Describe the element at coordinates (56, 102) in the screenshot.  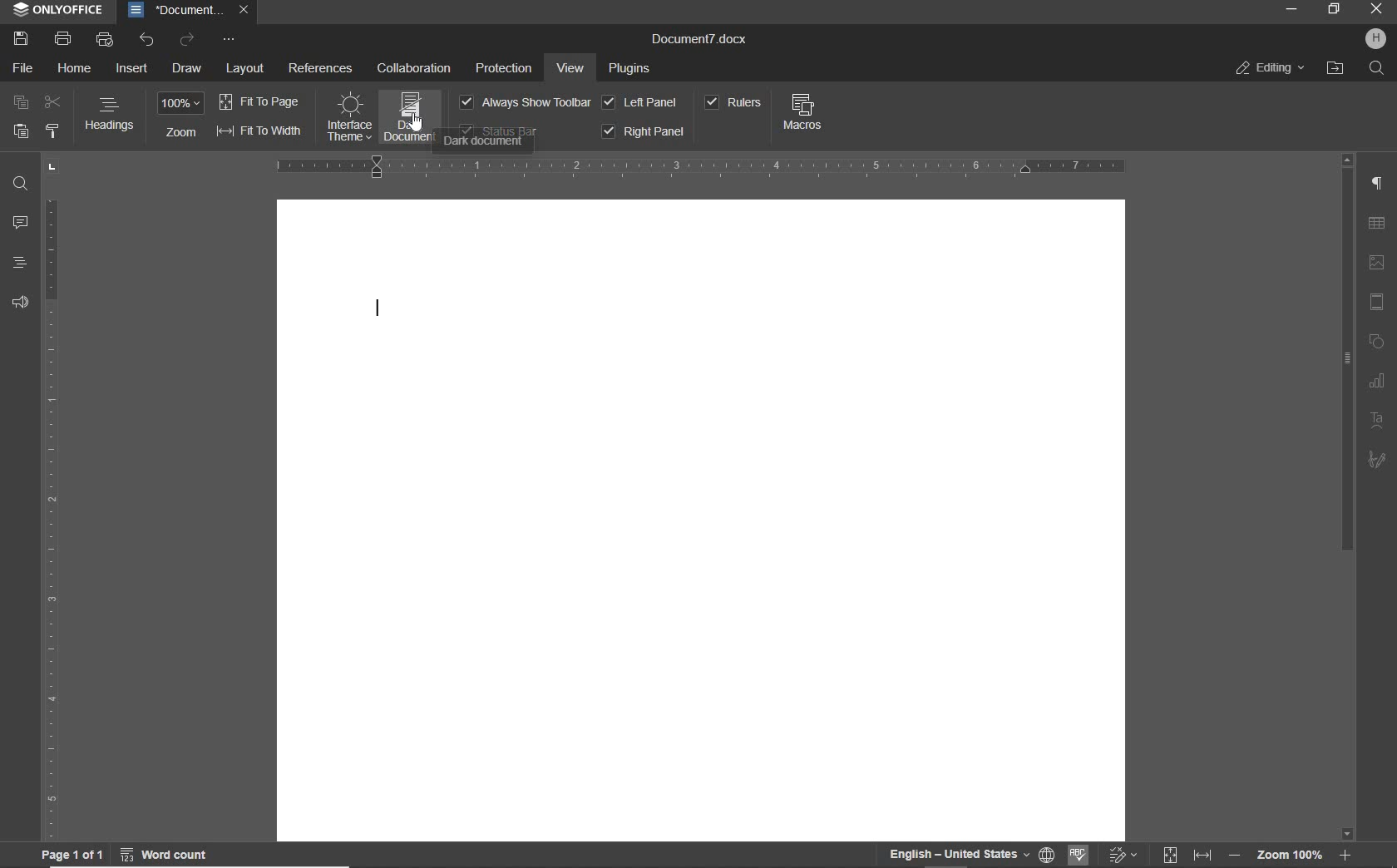
I see `CUT` at that location.